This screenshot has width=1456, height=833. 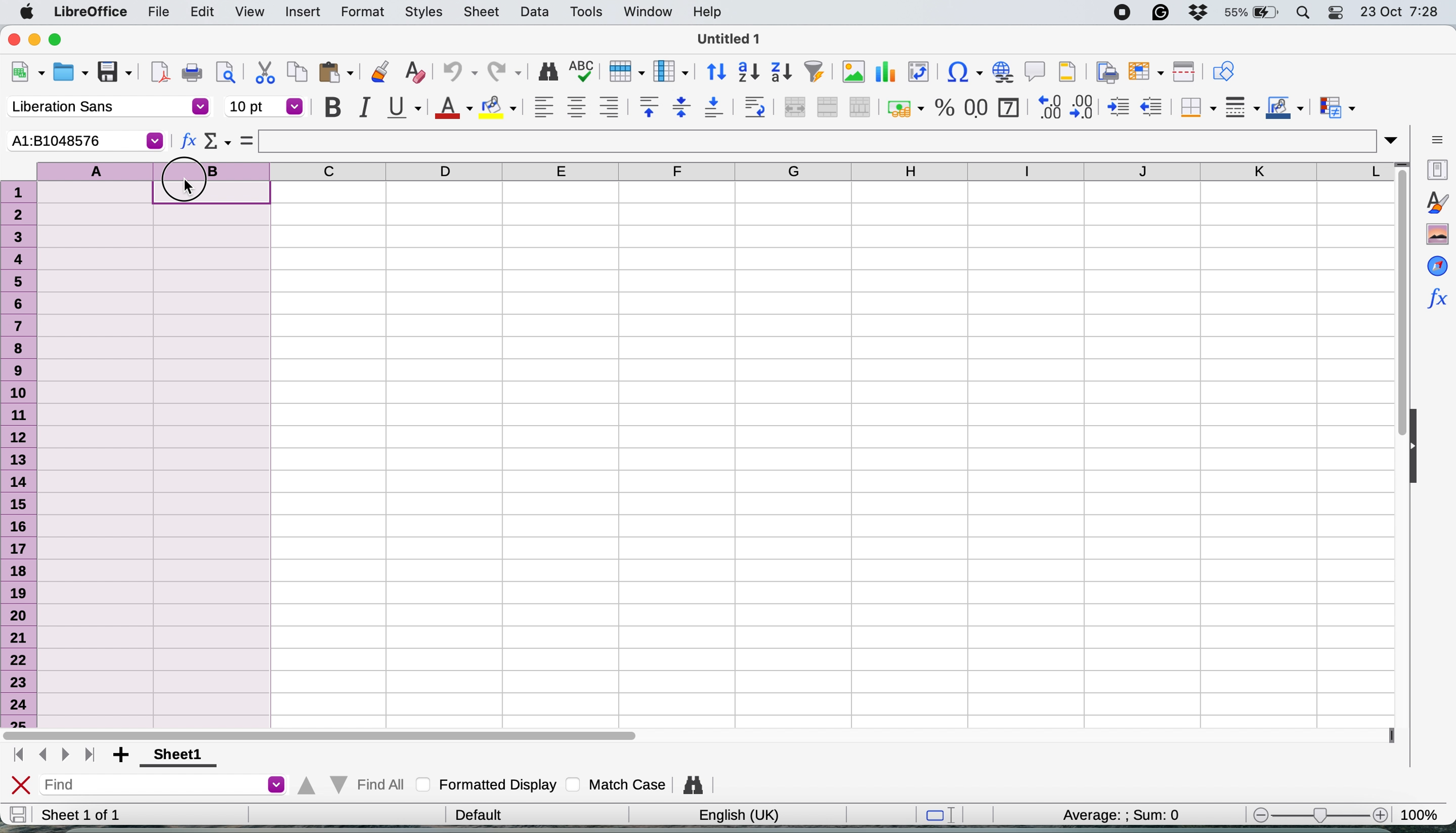 I want to click on navigator, so click(x=1434, y=264).